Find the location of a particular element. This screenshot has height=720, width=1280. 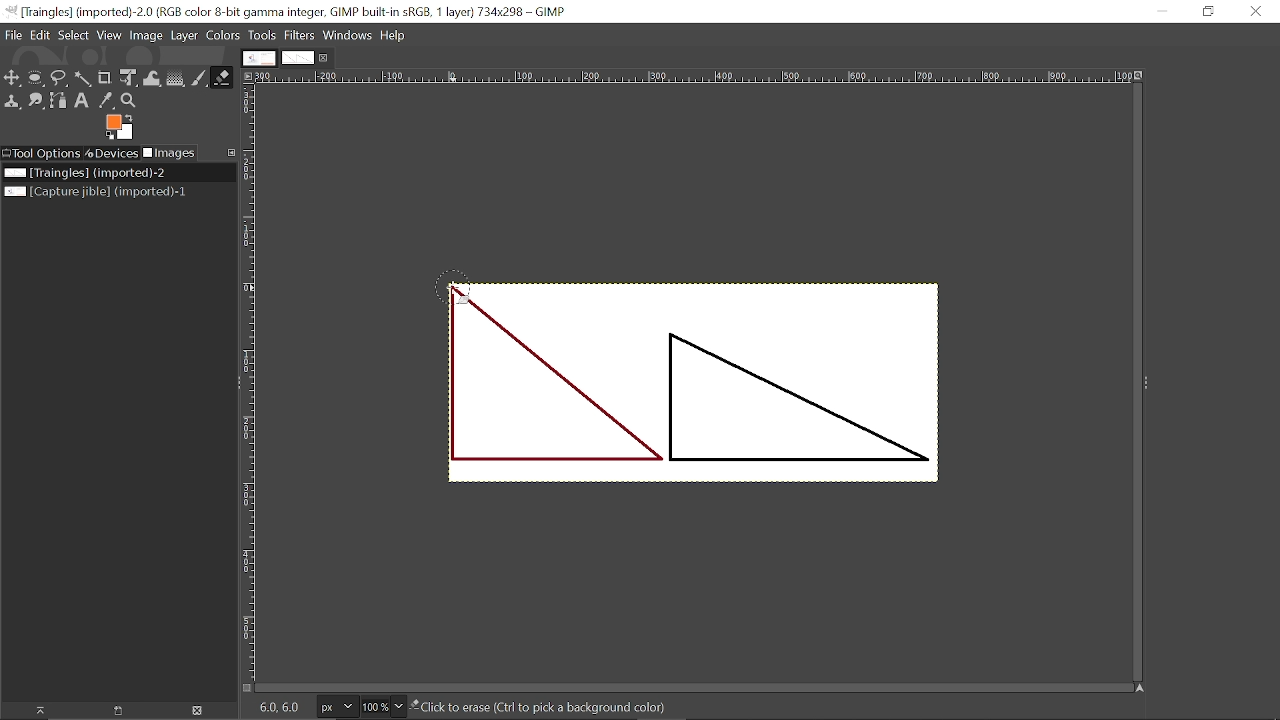

Navigate this window is located at coordinates (1141, 688).